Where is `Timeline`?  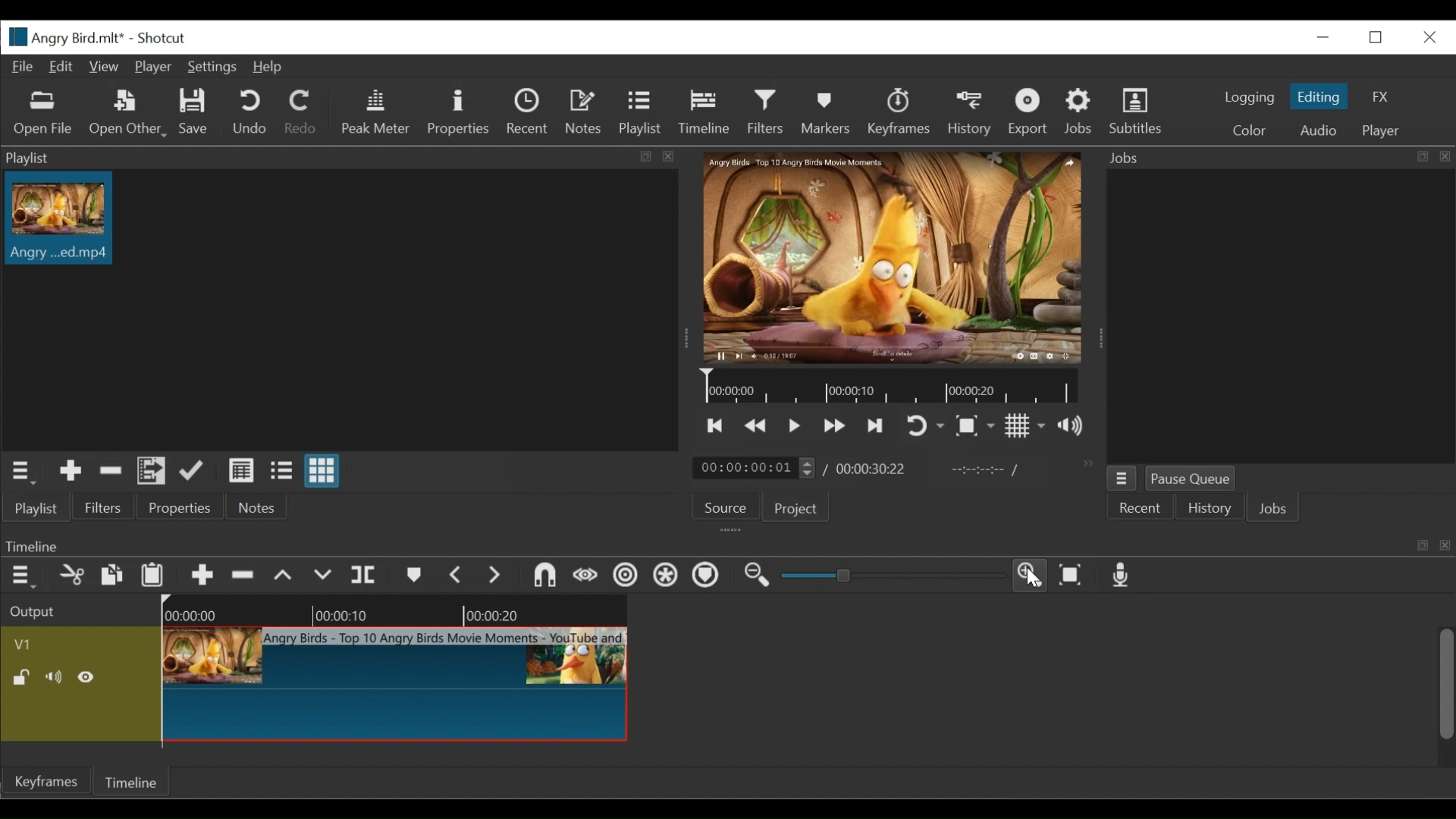
Timeline is located at coordinates (704, 113).